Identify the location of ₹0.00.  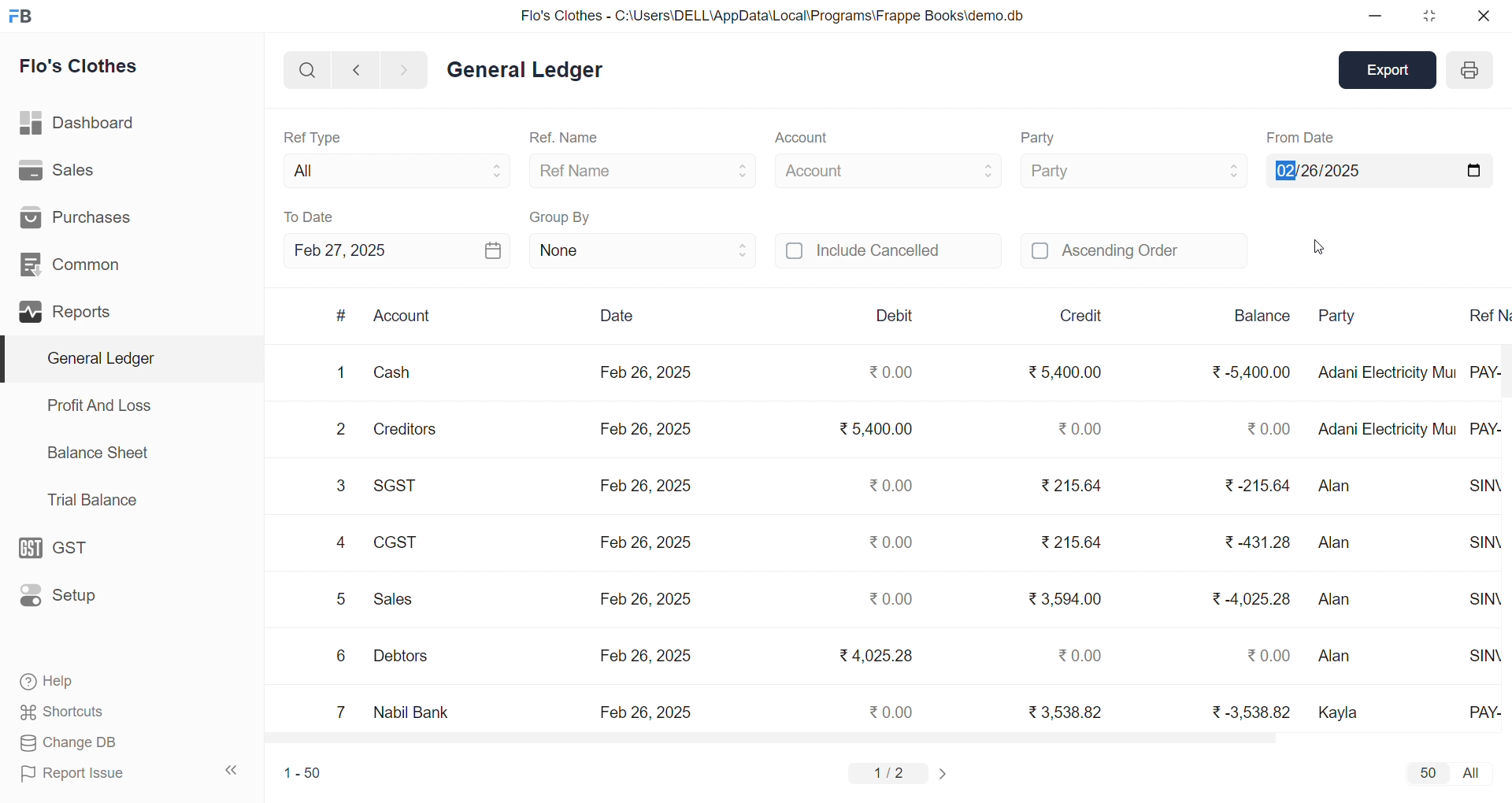
(889, 485).